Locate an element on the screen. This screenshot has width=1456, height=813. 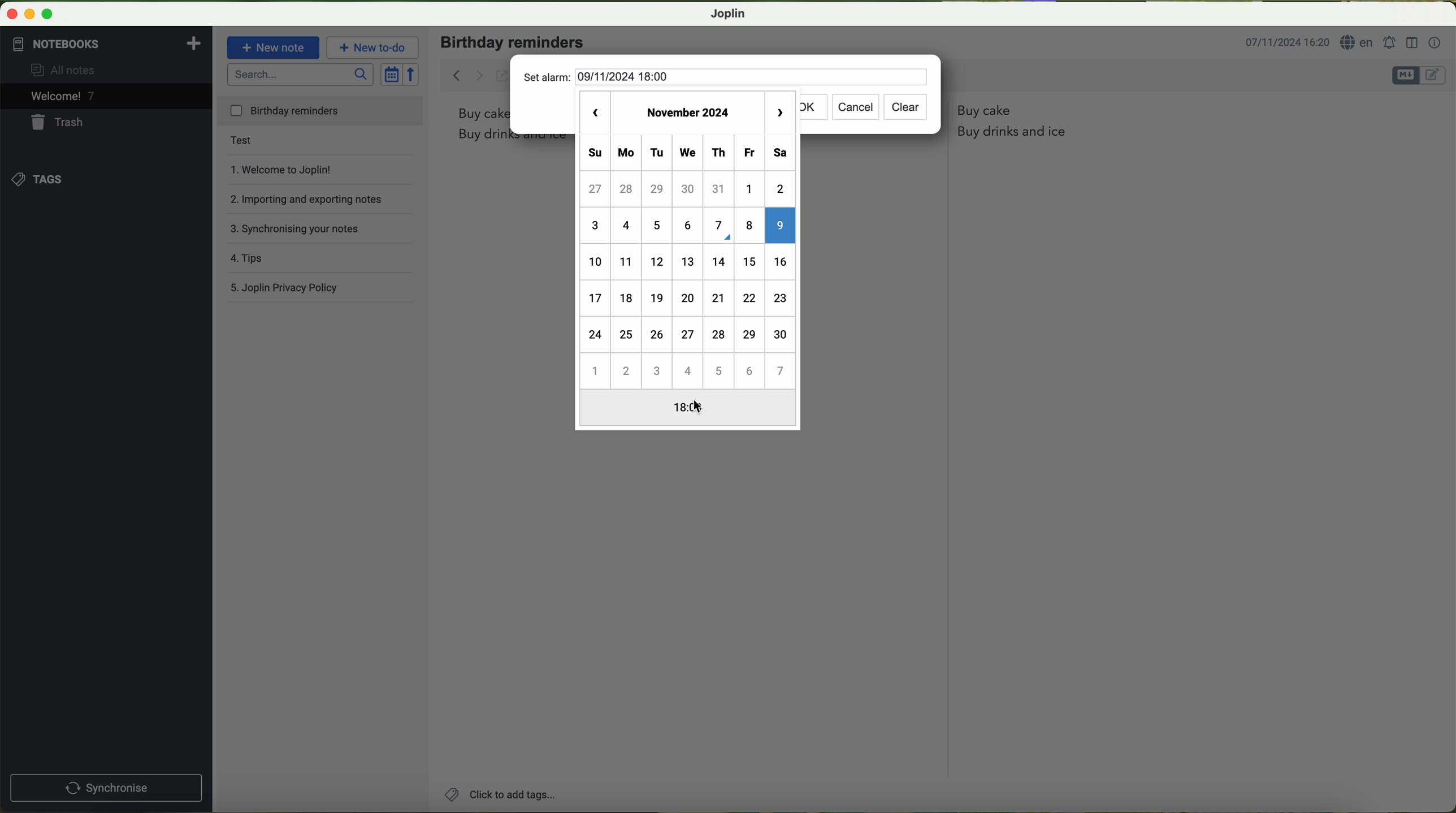
previous is located at coordinates (581, 109).